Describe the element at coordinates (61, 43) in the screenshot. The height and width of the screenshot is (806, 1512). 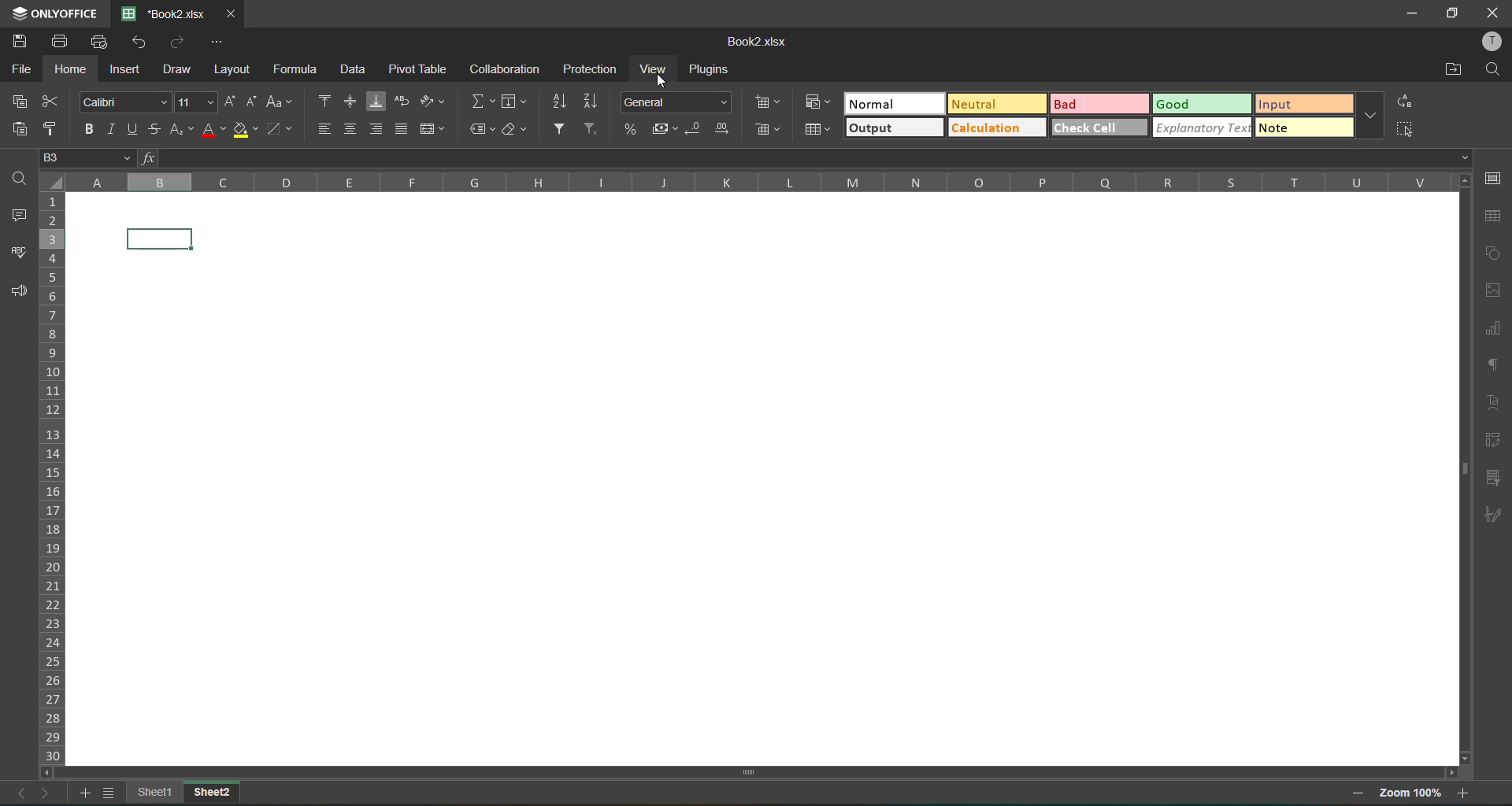
I see `print` at that location.